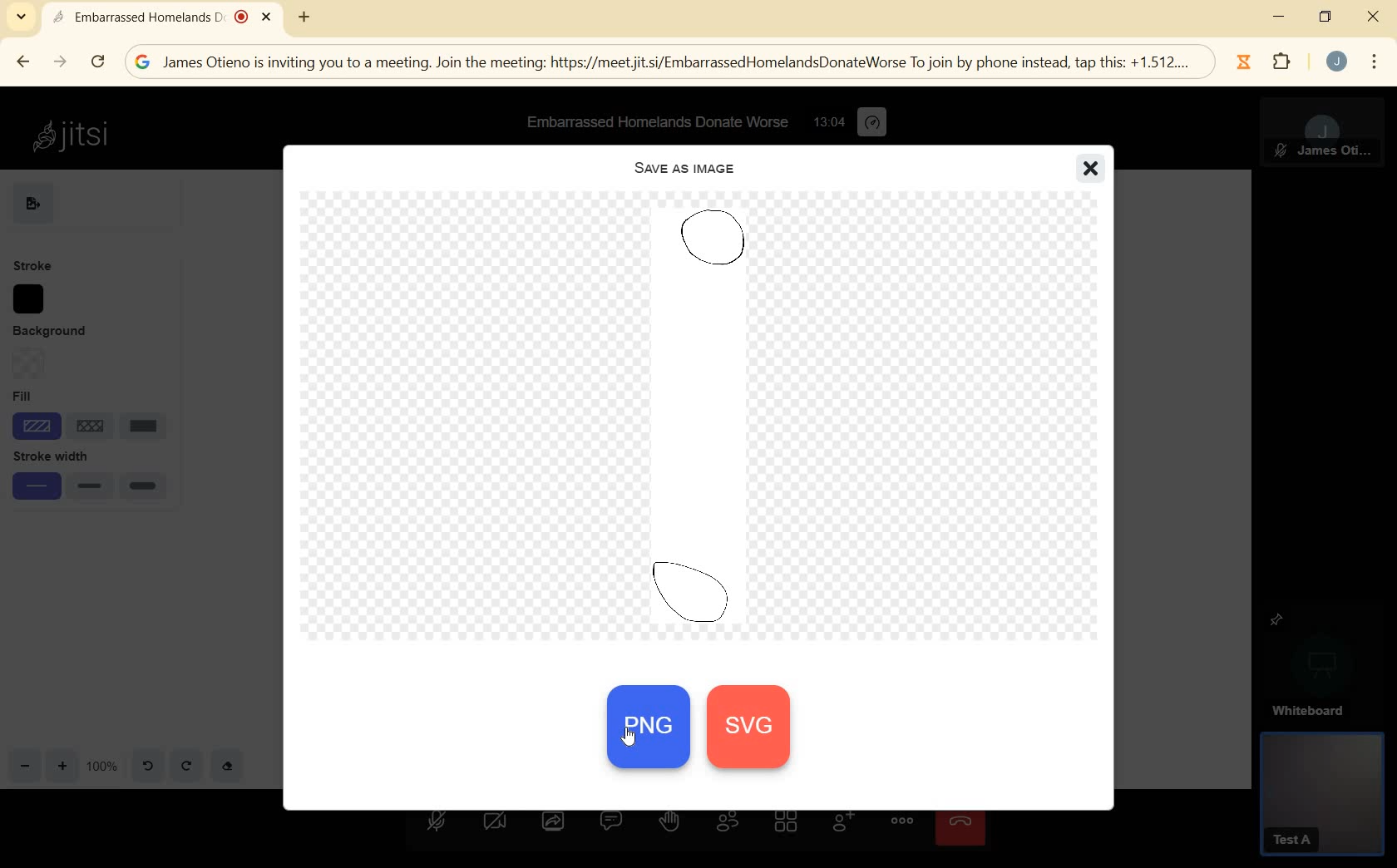 This screenshot has width=1397, height=868. I want to click on PNG, so click(649, 732).